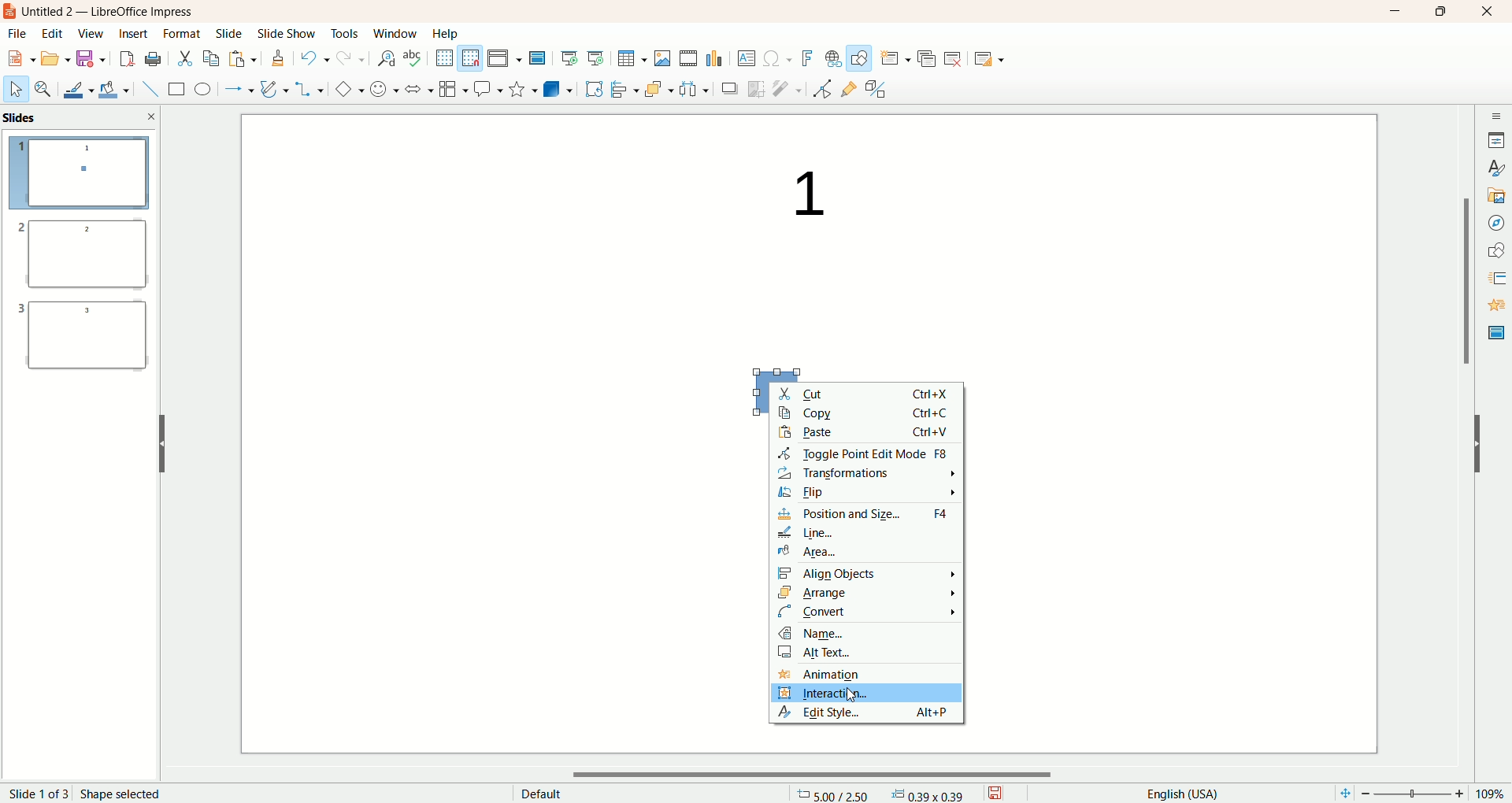 The width and height of the screenshot is (1512, 803). What do you see at coordinates (869, 474) in the screenshot?
I see `transformation` at bounding box center [869, 474].